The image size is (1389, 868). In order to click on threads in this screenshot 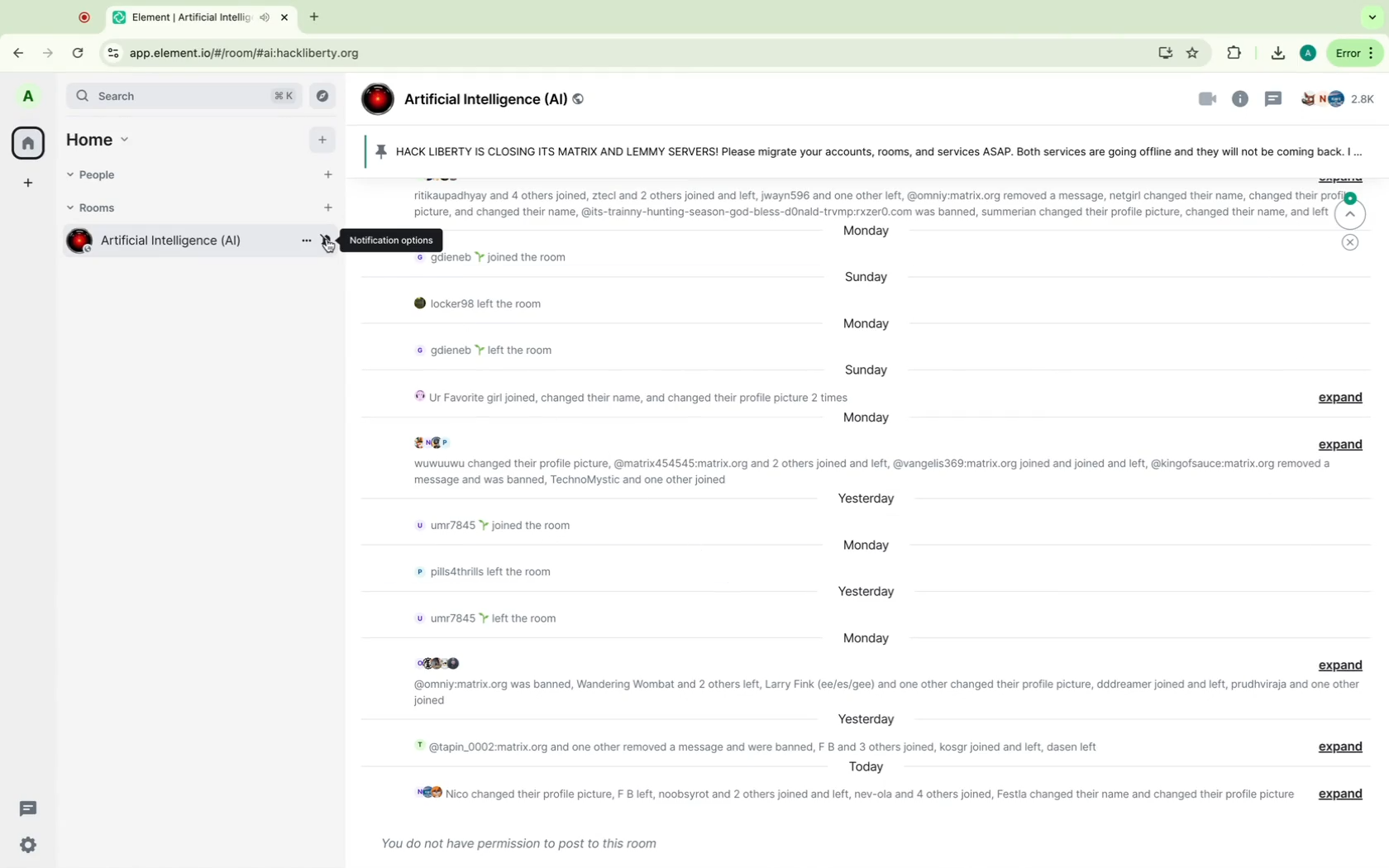, I will do `click(1275, 98)`.